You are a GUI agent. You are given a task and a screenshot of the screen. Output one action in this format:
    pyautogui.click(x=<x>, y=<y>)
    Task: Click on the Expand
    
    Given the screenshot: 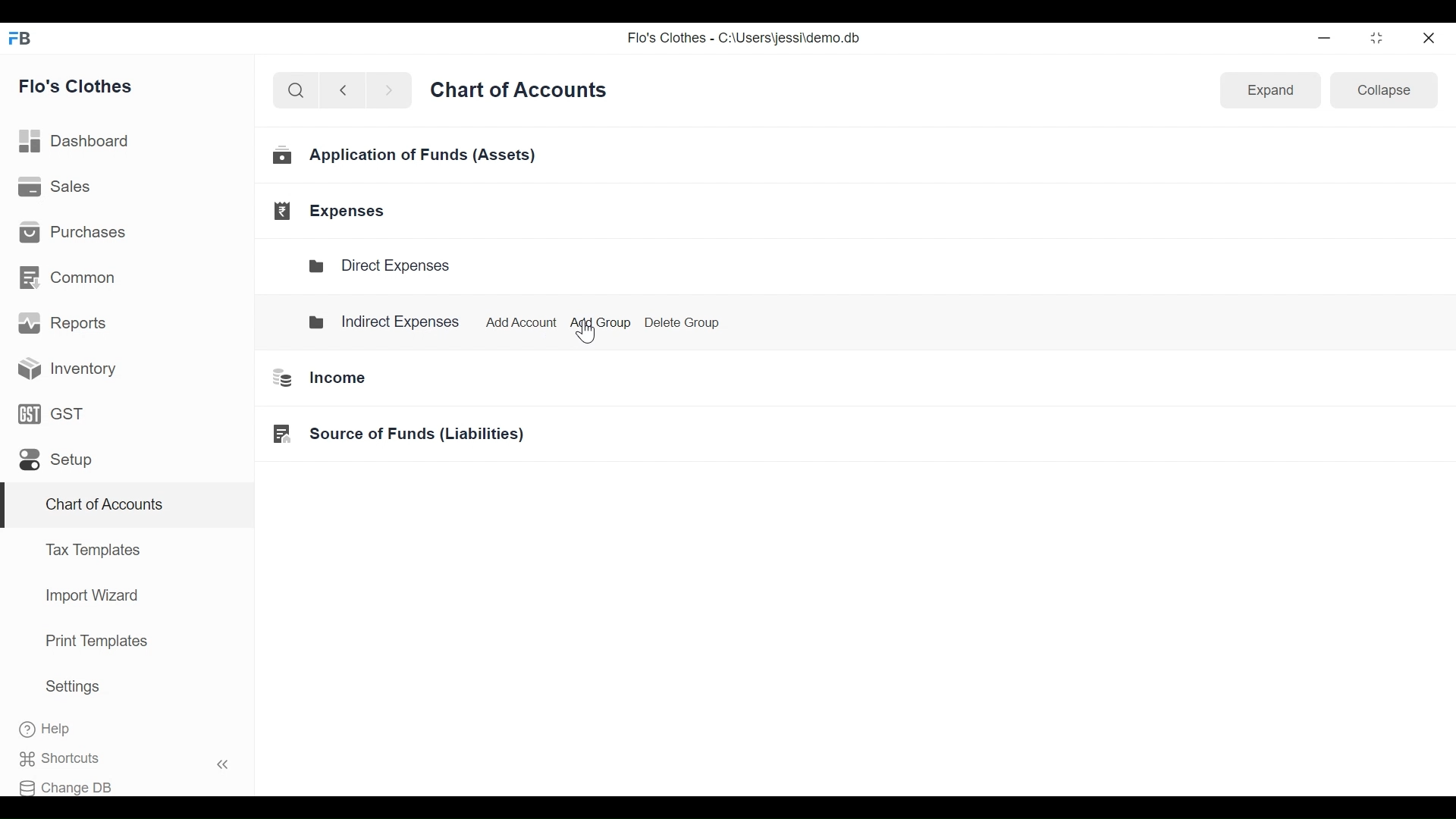 What is the action you would take?
    pyautogui.click(x=1271, y=91)
    